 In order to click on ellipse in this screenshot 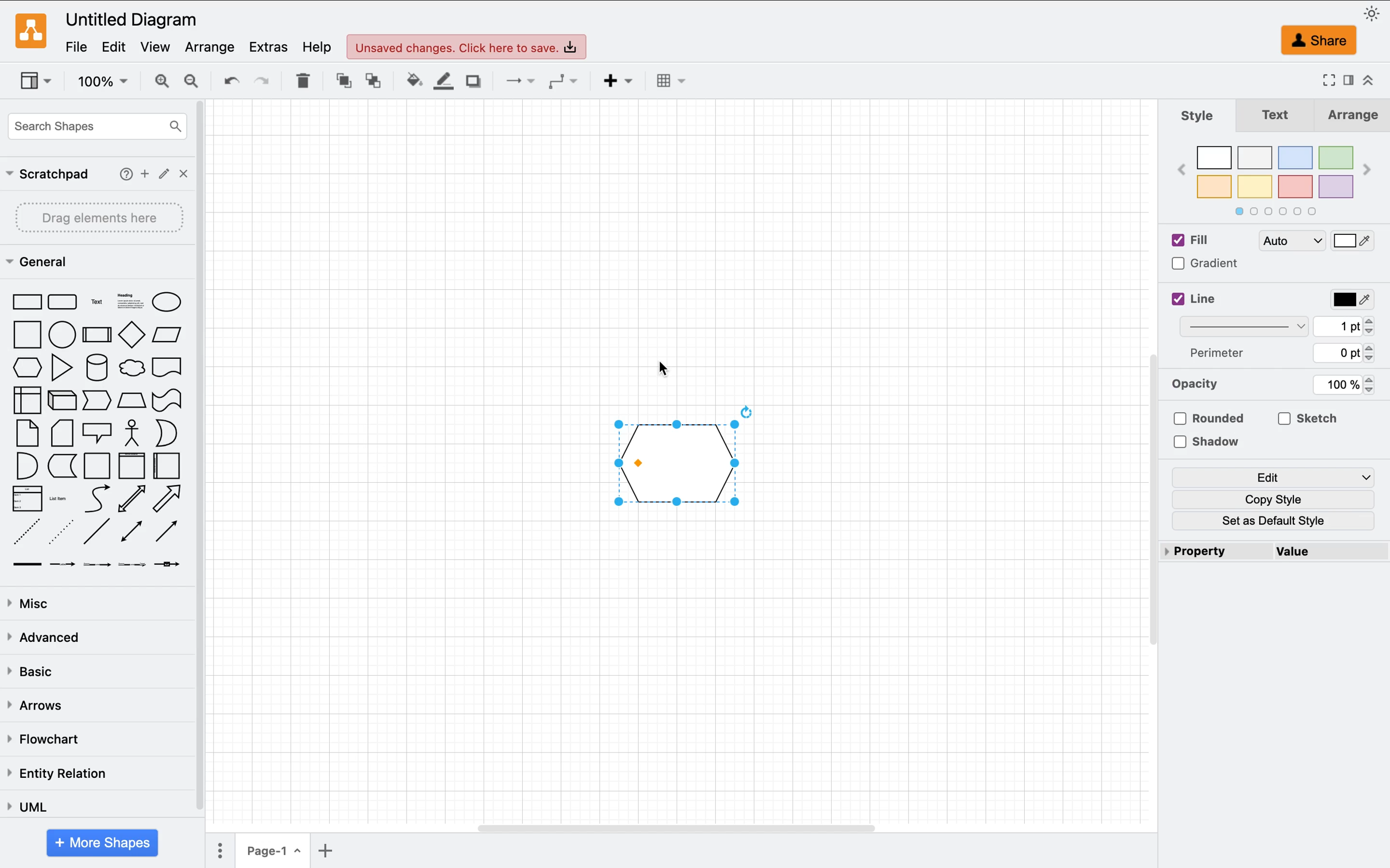, I will do `click(173, 300)`.